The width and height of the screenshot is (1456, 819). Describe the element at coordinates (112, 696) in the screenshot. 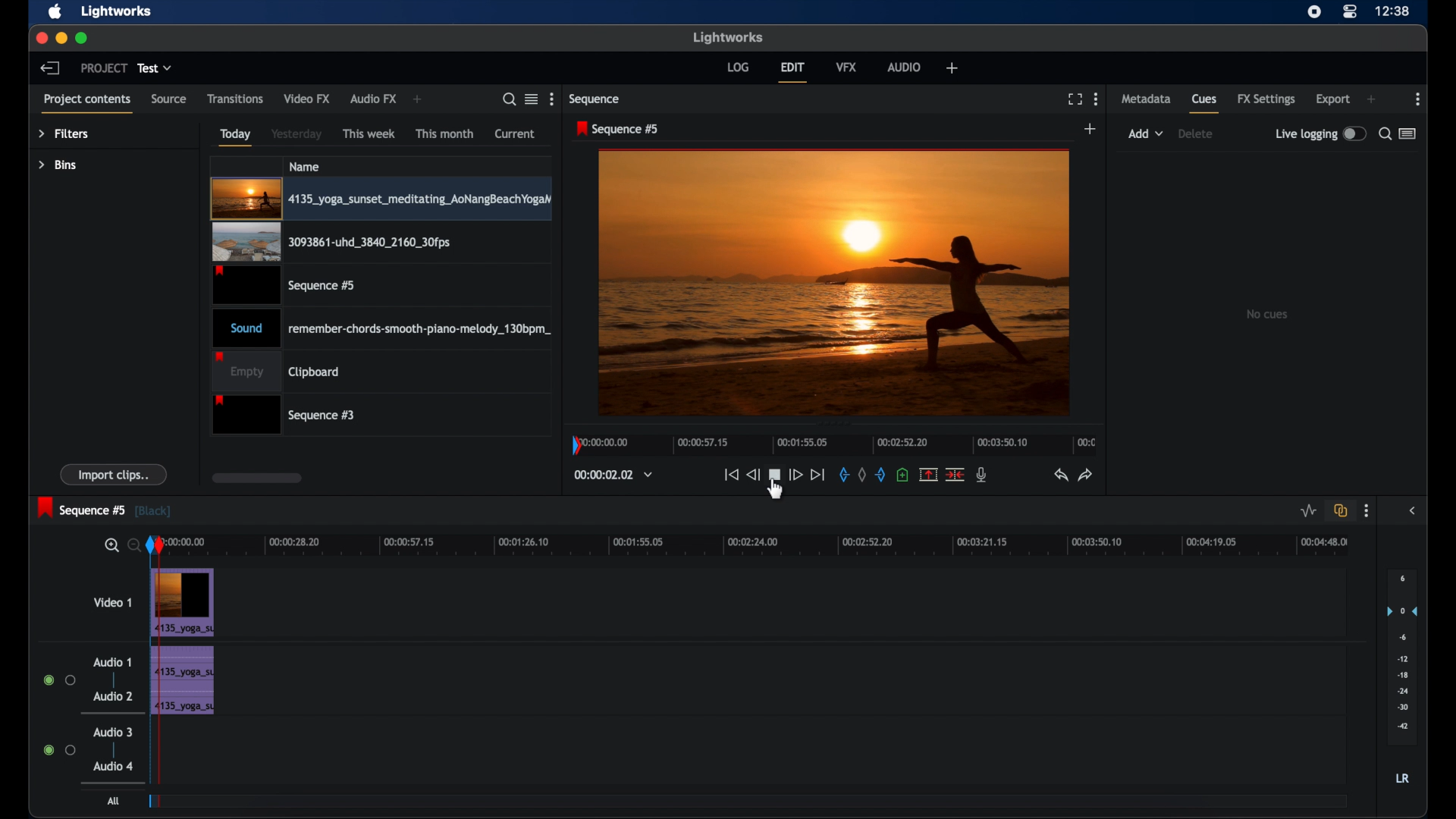

I see `audio 2` at that location.